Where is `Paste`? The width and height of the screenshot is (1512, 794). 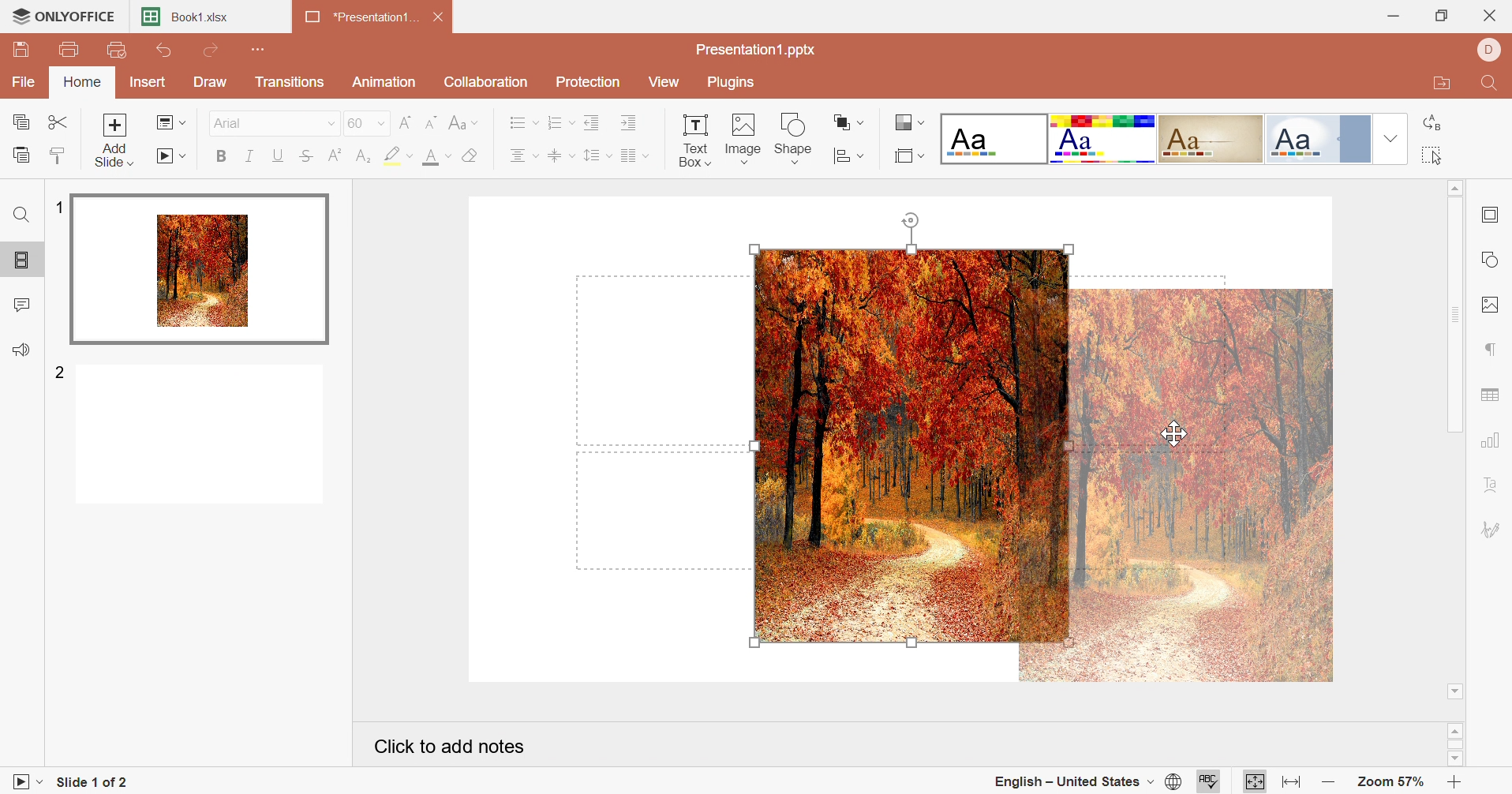
Paste is located at coordinates (23, 154).